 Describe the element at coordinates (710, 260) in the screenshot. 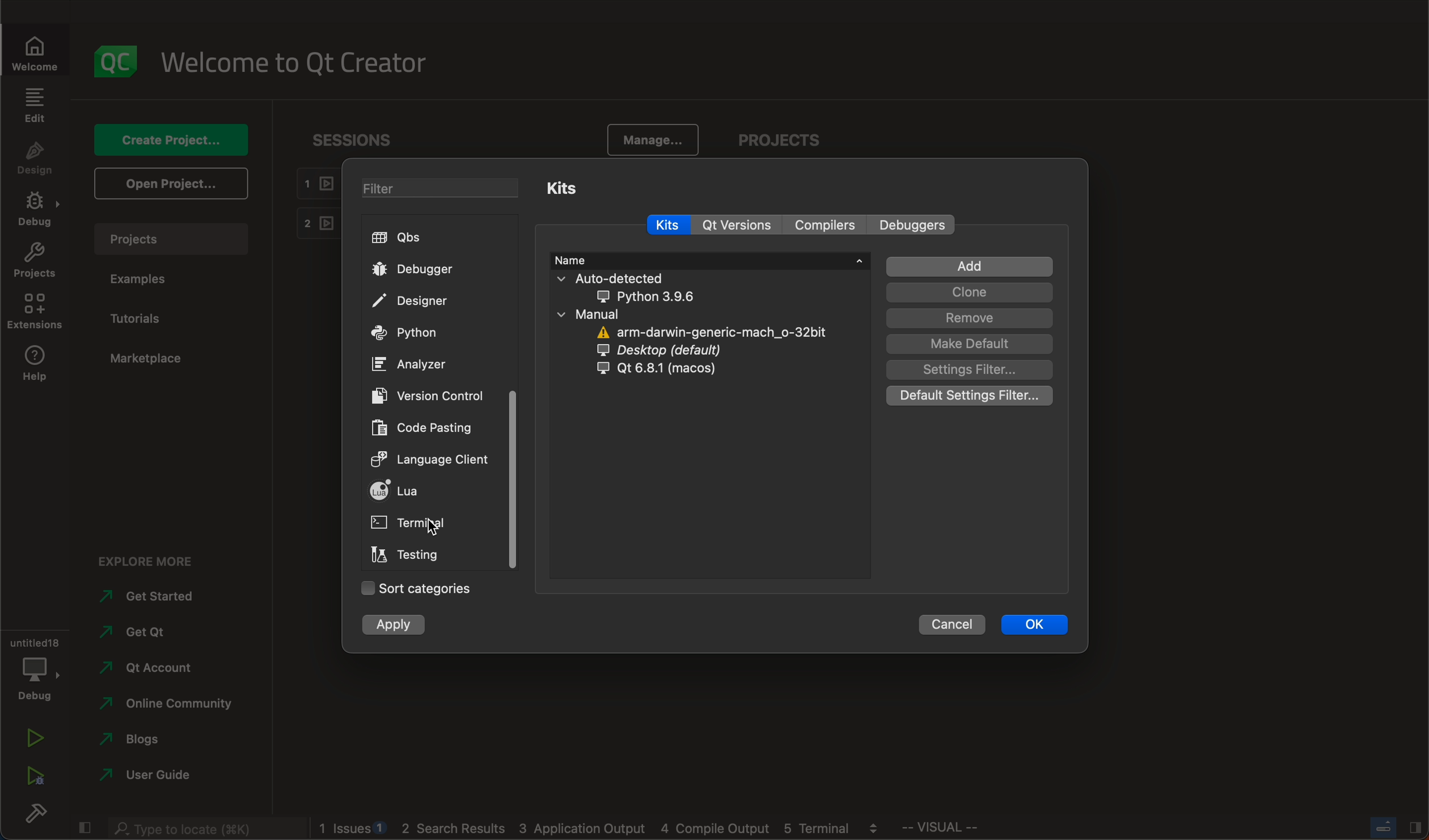

I see `name` at that location.